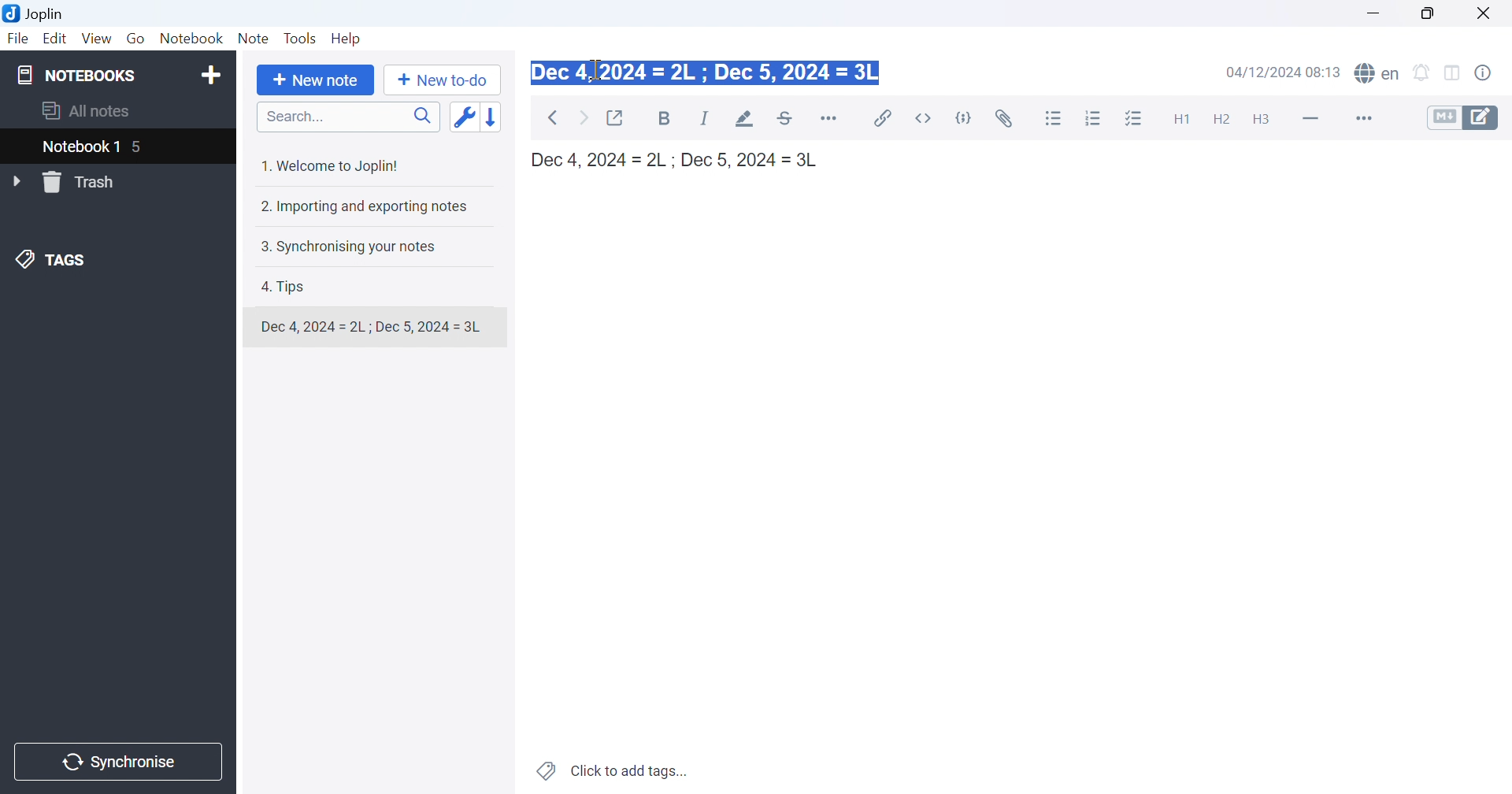 The height and width of the screenshot is (794, 1512). I want to click on Note, so click(254, 39).